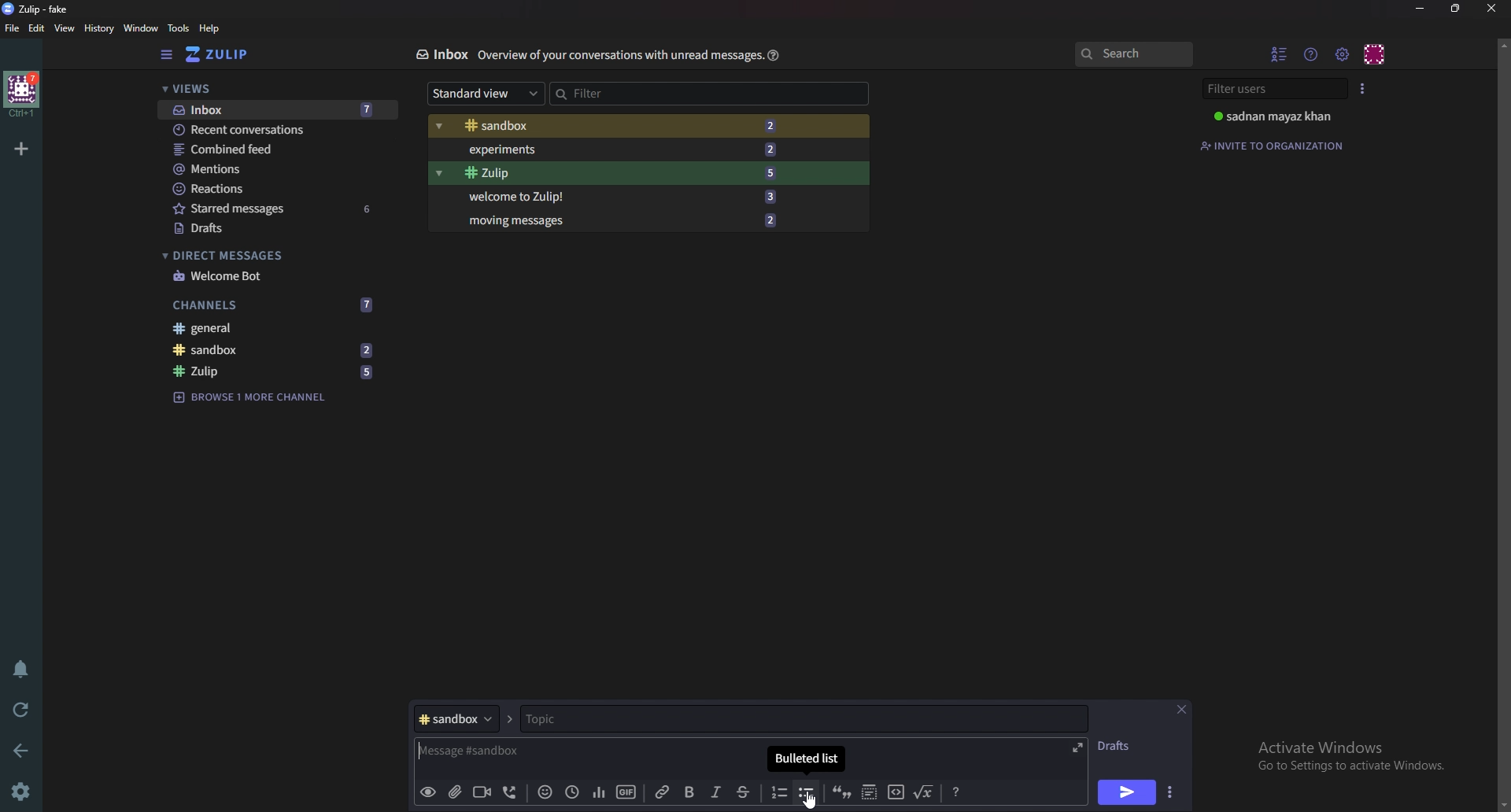  What do you see at coordinates (274, 305) in the screenshot?
I see `Channels` at bounding box center [274, 305].